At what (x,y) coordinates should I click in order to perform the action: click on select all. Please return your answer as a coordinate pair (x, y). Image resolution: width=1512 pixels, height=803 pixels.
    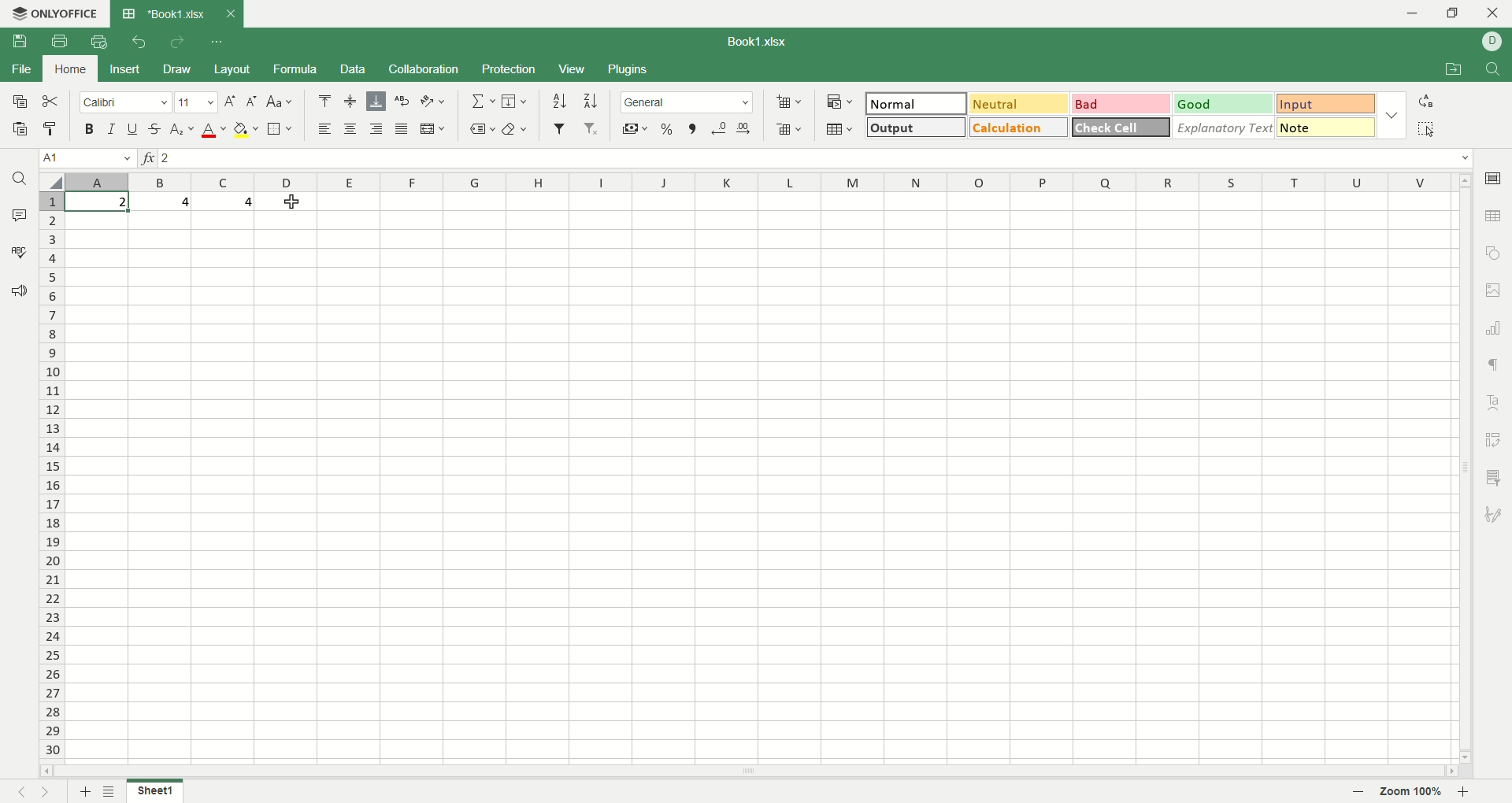
    Looking at the image, I should click on (50, 183).